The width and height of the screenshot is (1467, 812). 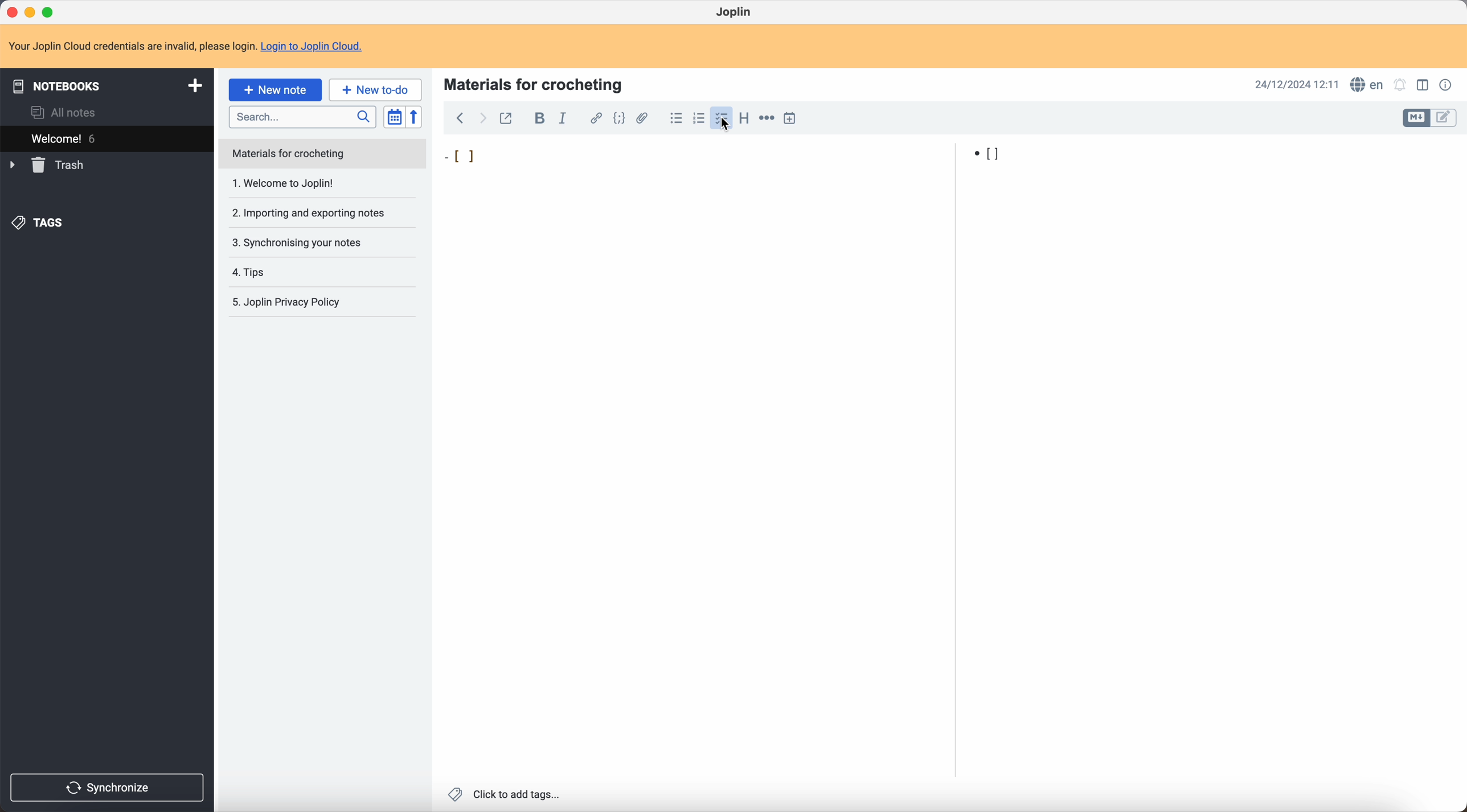 I want to click on attach file, so click(x=645, y=118).